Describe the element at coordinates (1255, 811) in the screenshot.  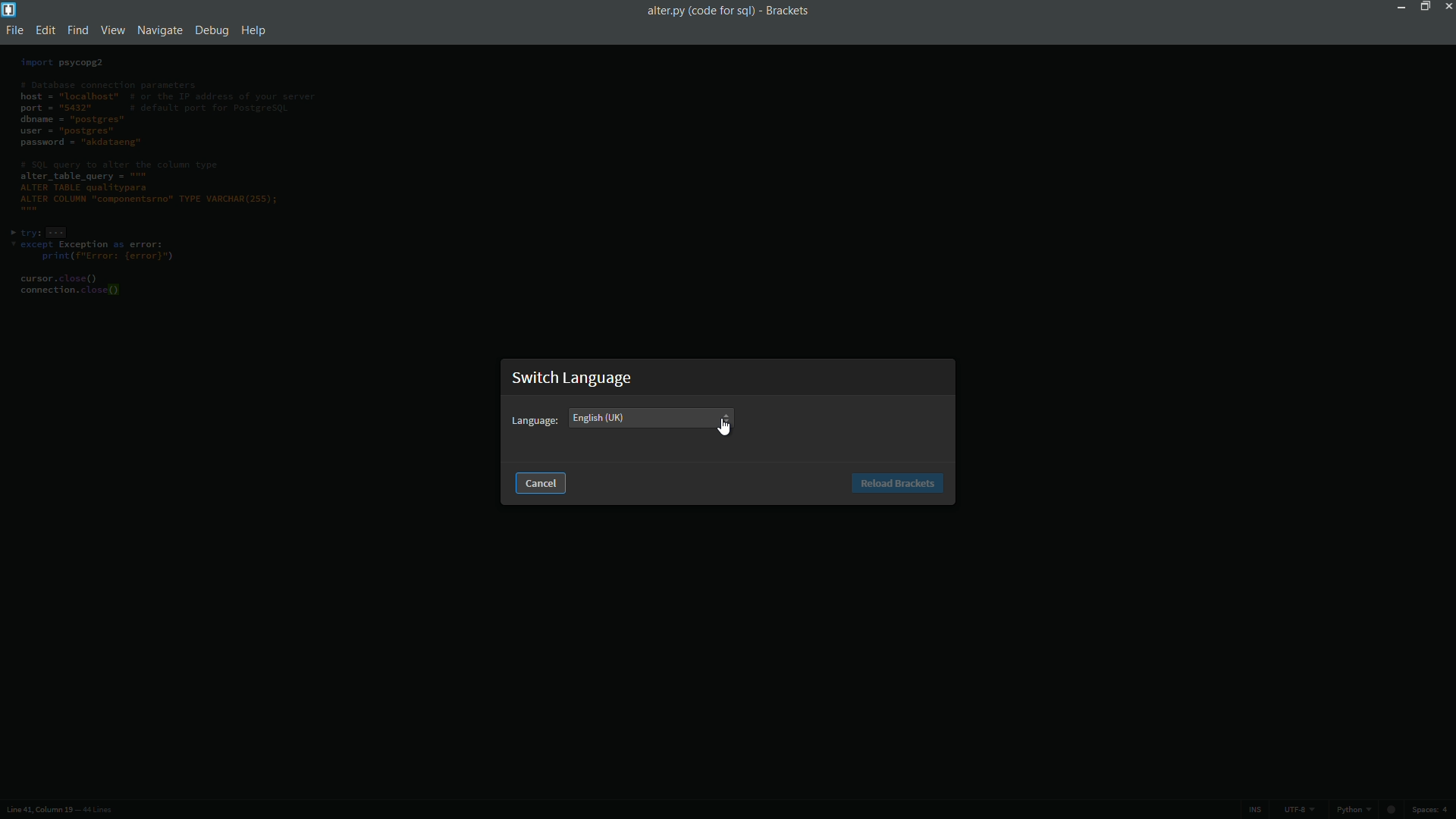
I see `ins` at that location.